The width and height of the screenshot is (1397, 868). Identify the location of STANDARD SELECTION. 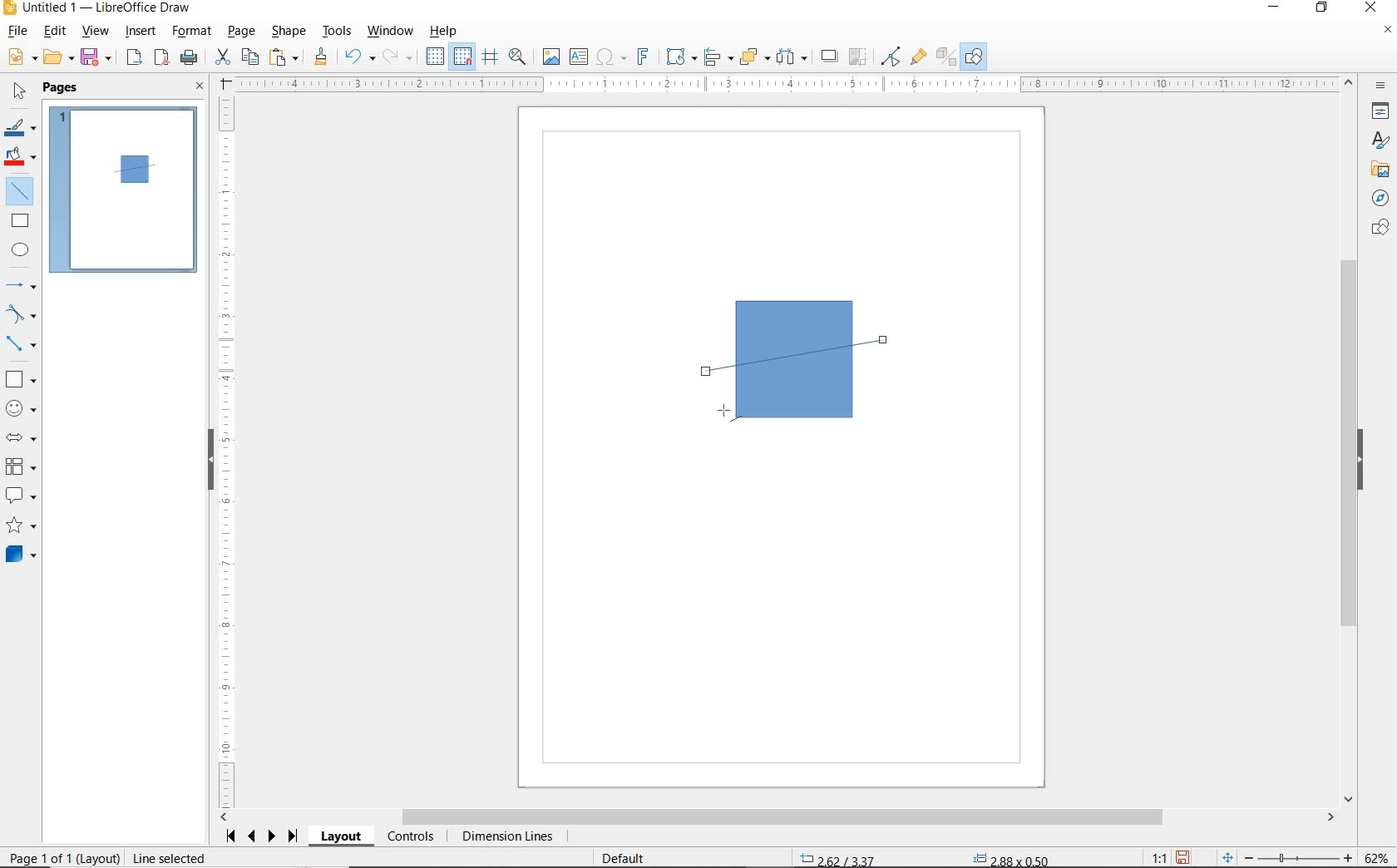
(926, 856).